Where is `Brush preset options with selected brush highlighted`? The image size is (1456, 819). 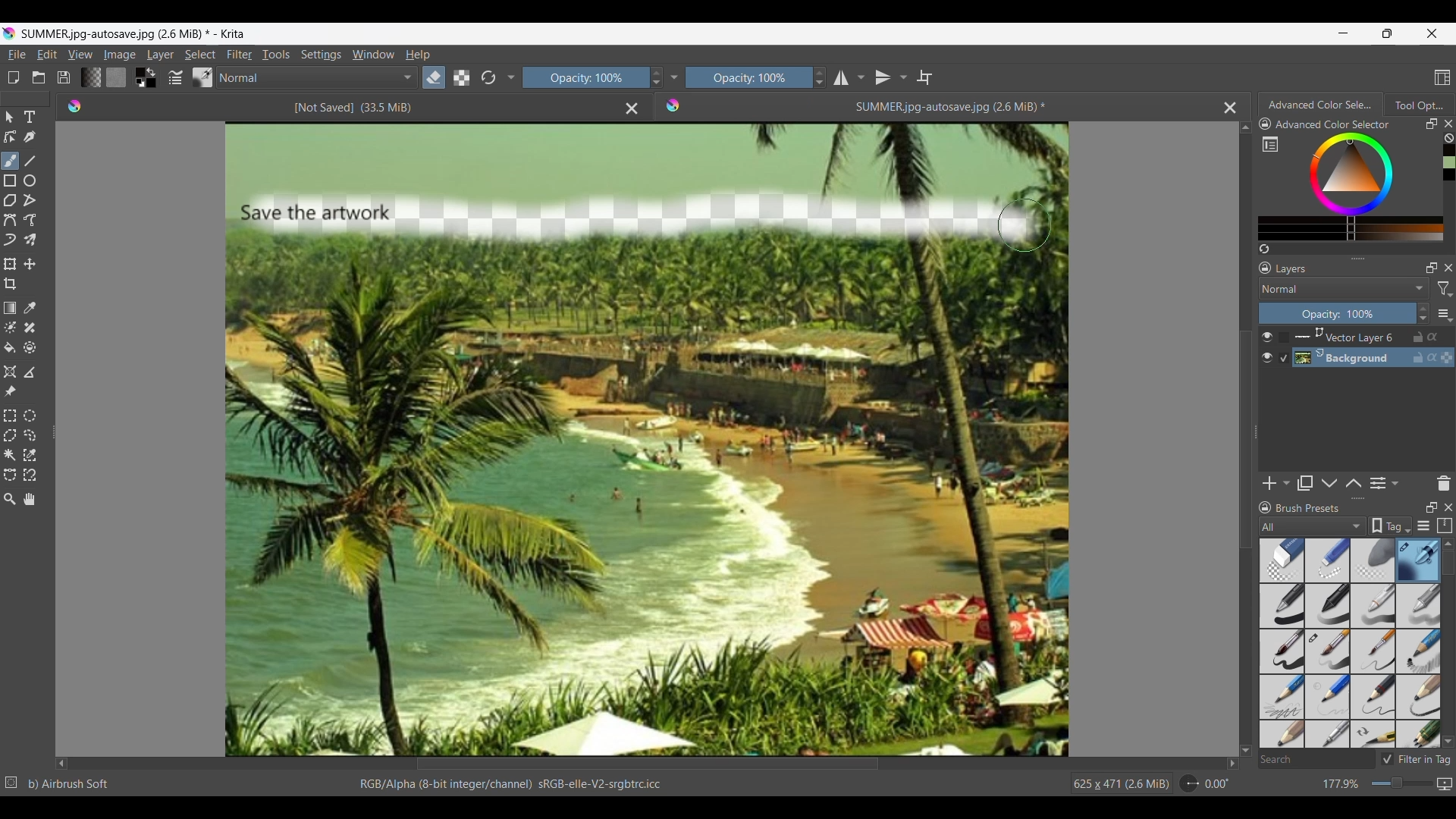 Brush preset options with selected brush highlighted is located at coordinates (1351, 644).